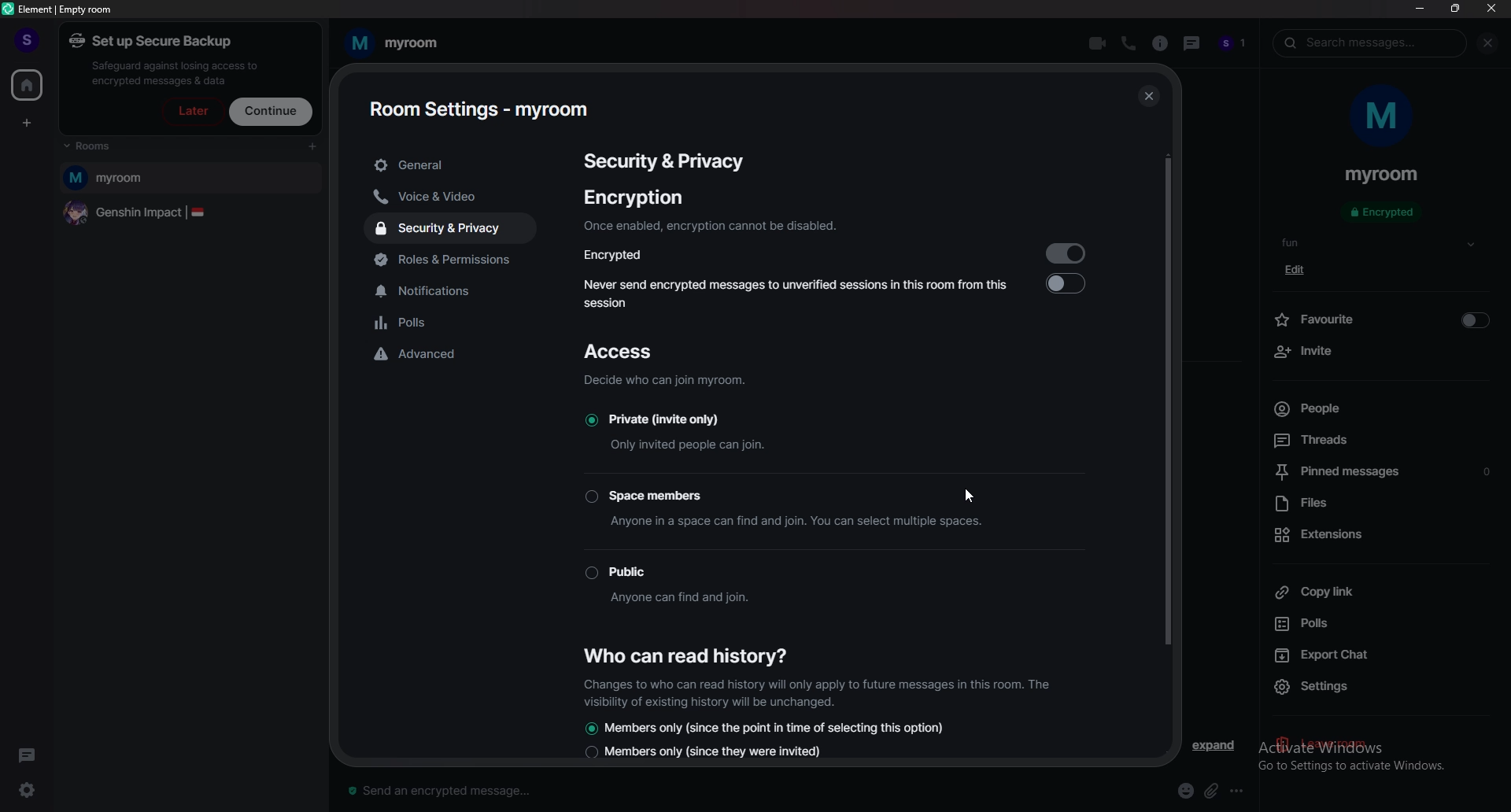  Describe the element at coordinates (106, 147) in the screenshot. I see `rooms` at that location.